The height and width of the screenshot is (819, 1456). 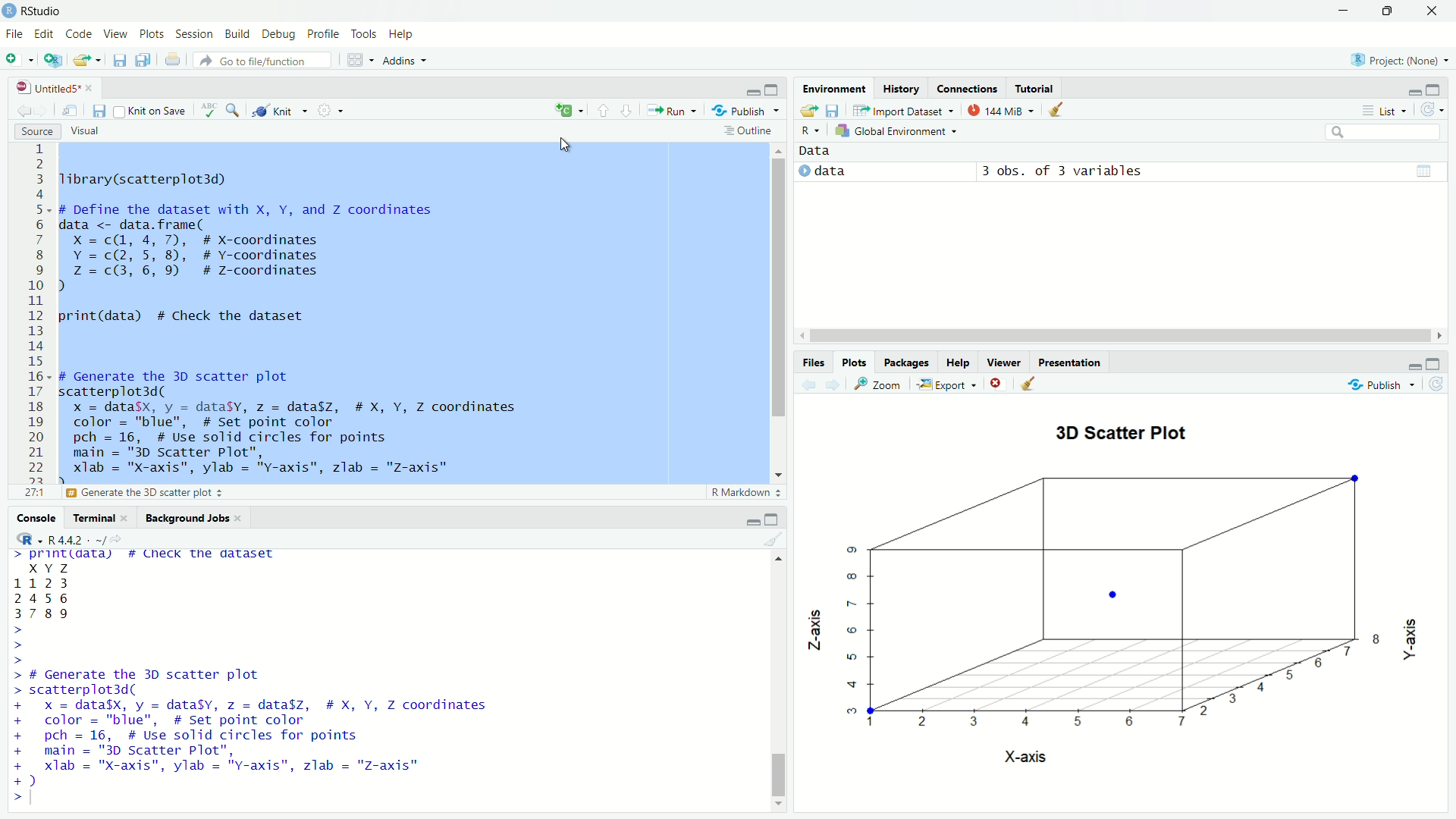 I want to click on history, so click(x=903, y=88).